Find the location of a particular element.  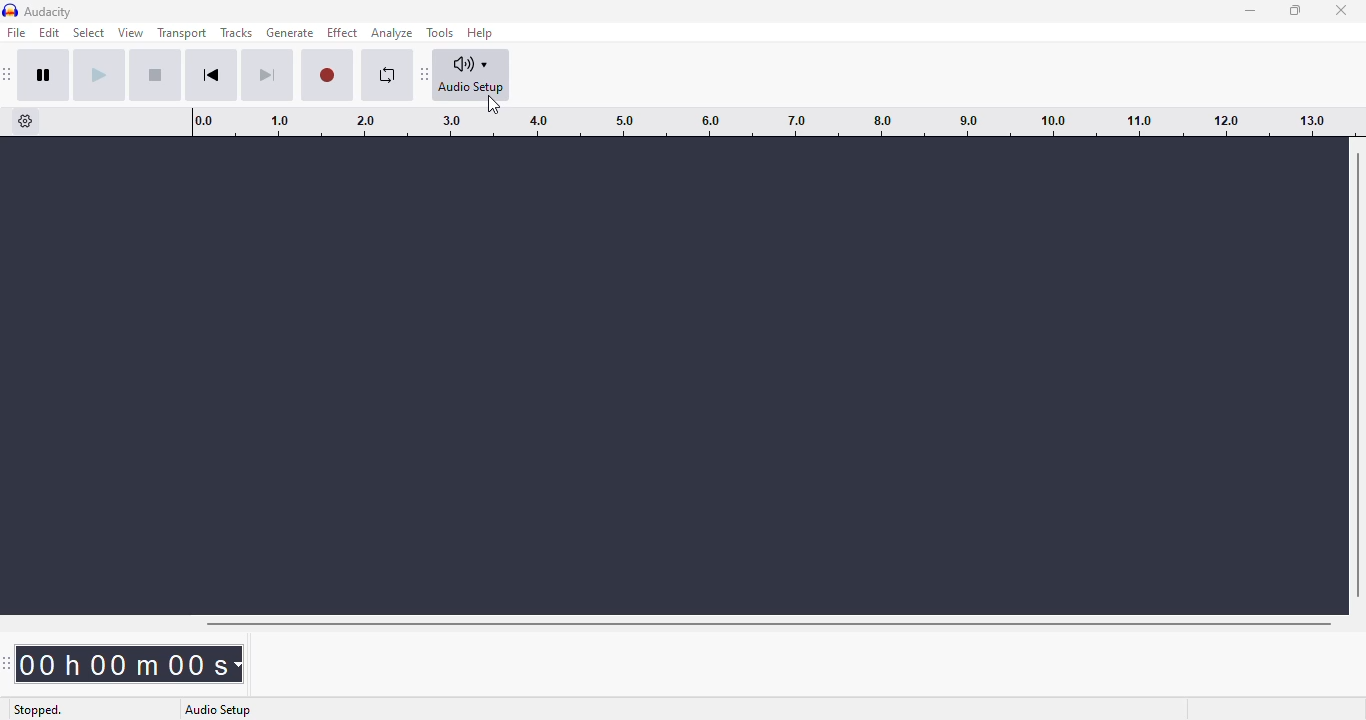

view is located at coordinates (131, 33).